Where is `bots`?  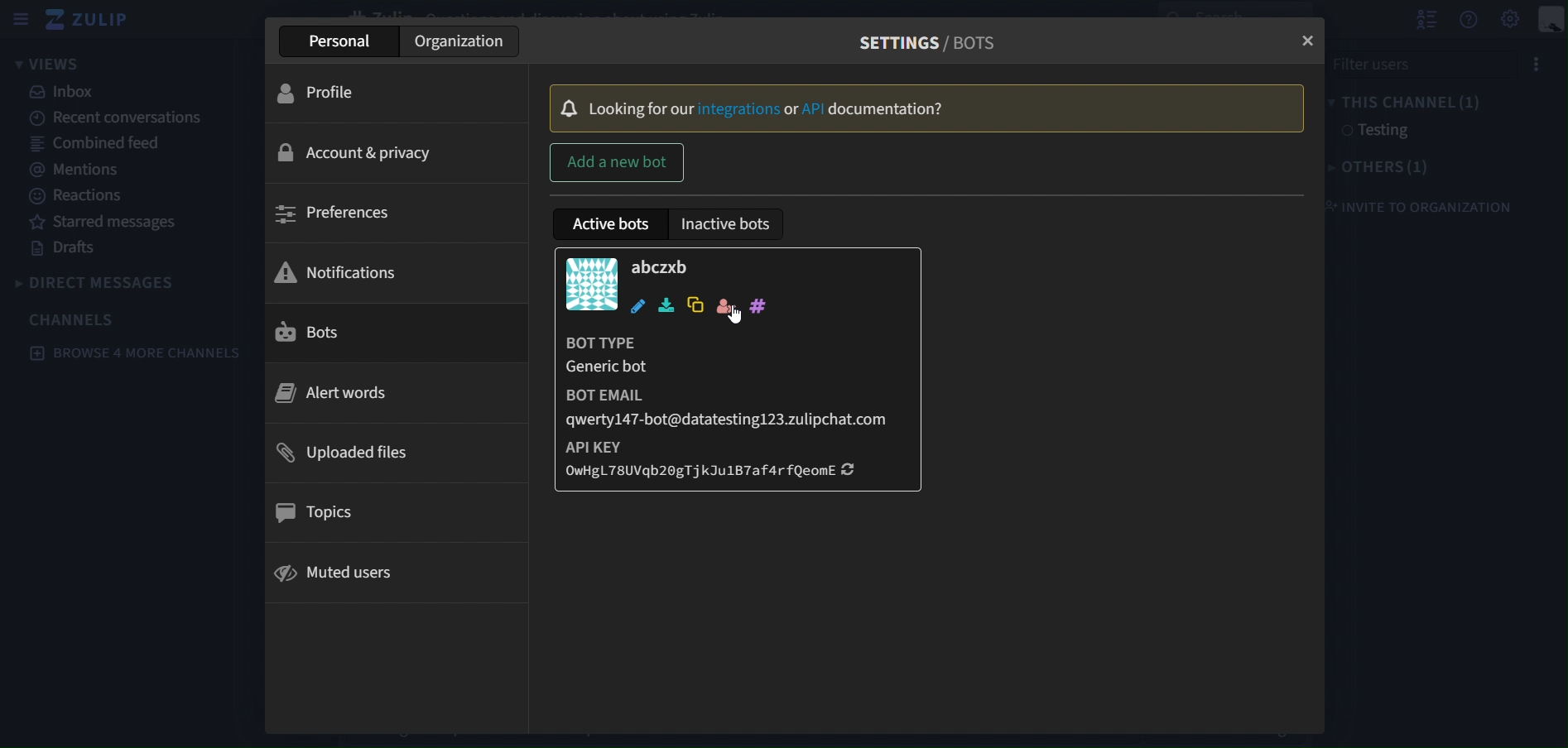
bots is located at coordinates (339, 332).